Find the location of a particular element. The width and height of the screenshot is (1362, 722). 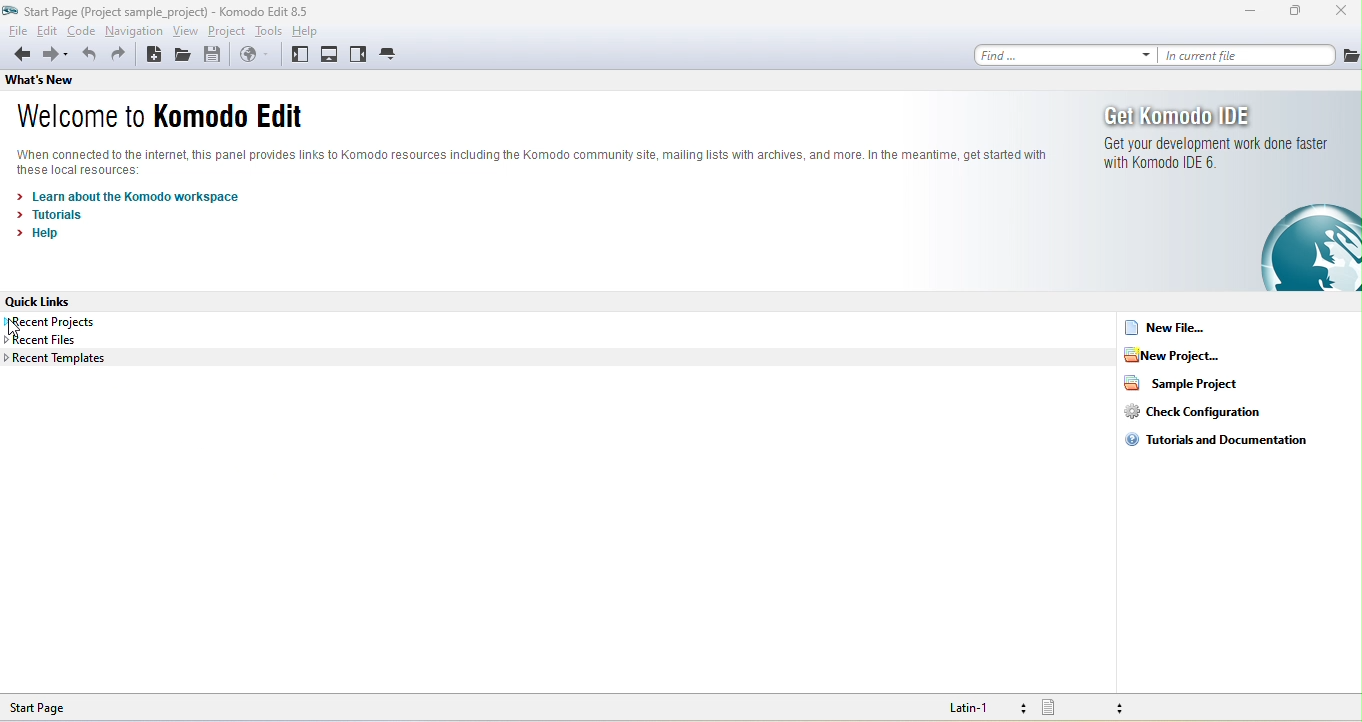

komodo text is located at coordinates (535, 164).